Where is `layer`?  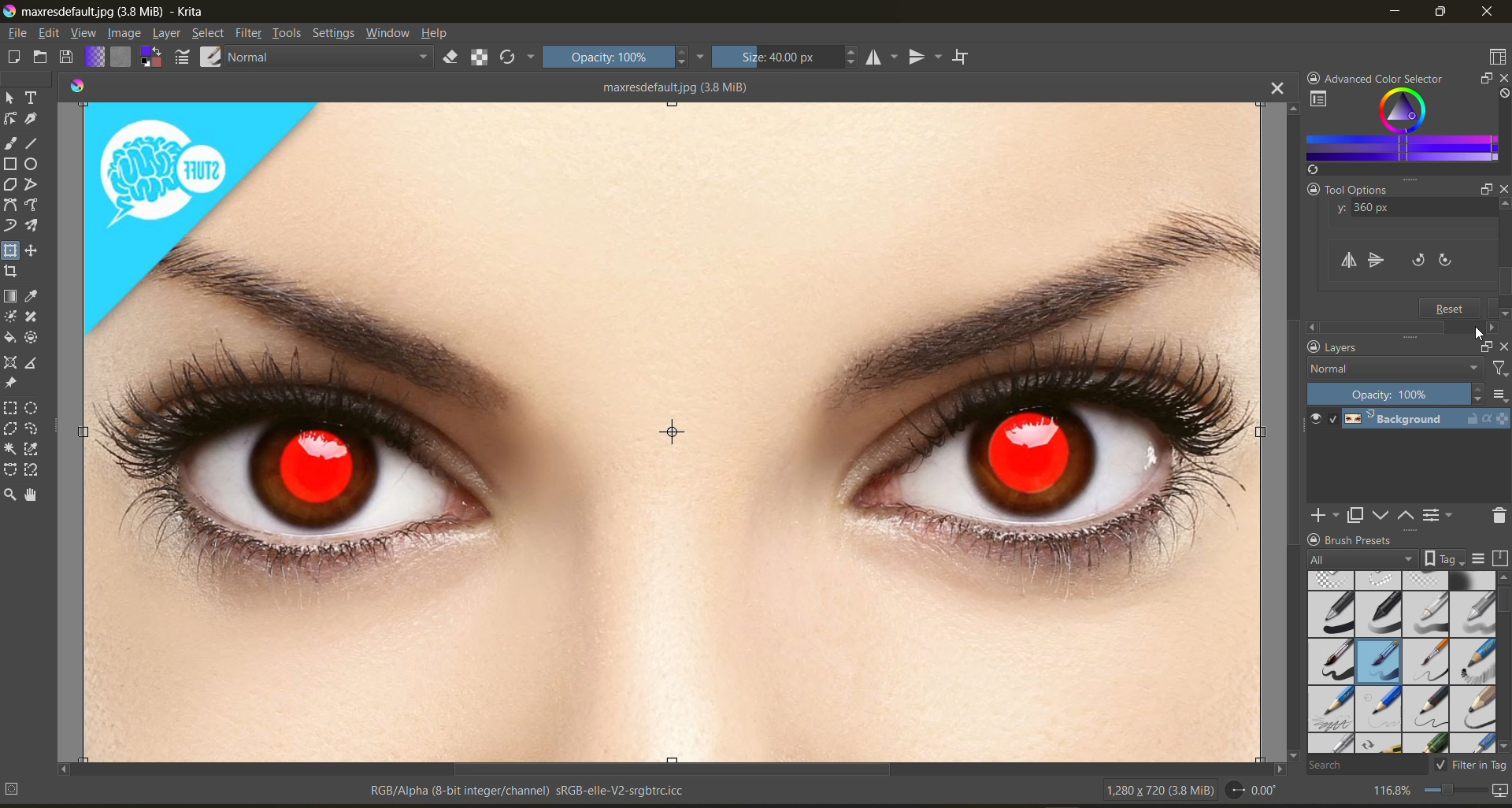 layer is located at coordinates (1424, 422).